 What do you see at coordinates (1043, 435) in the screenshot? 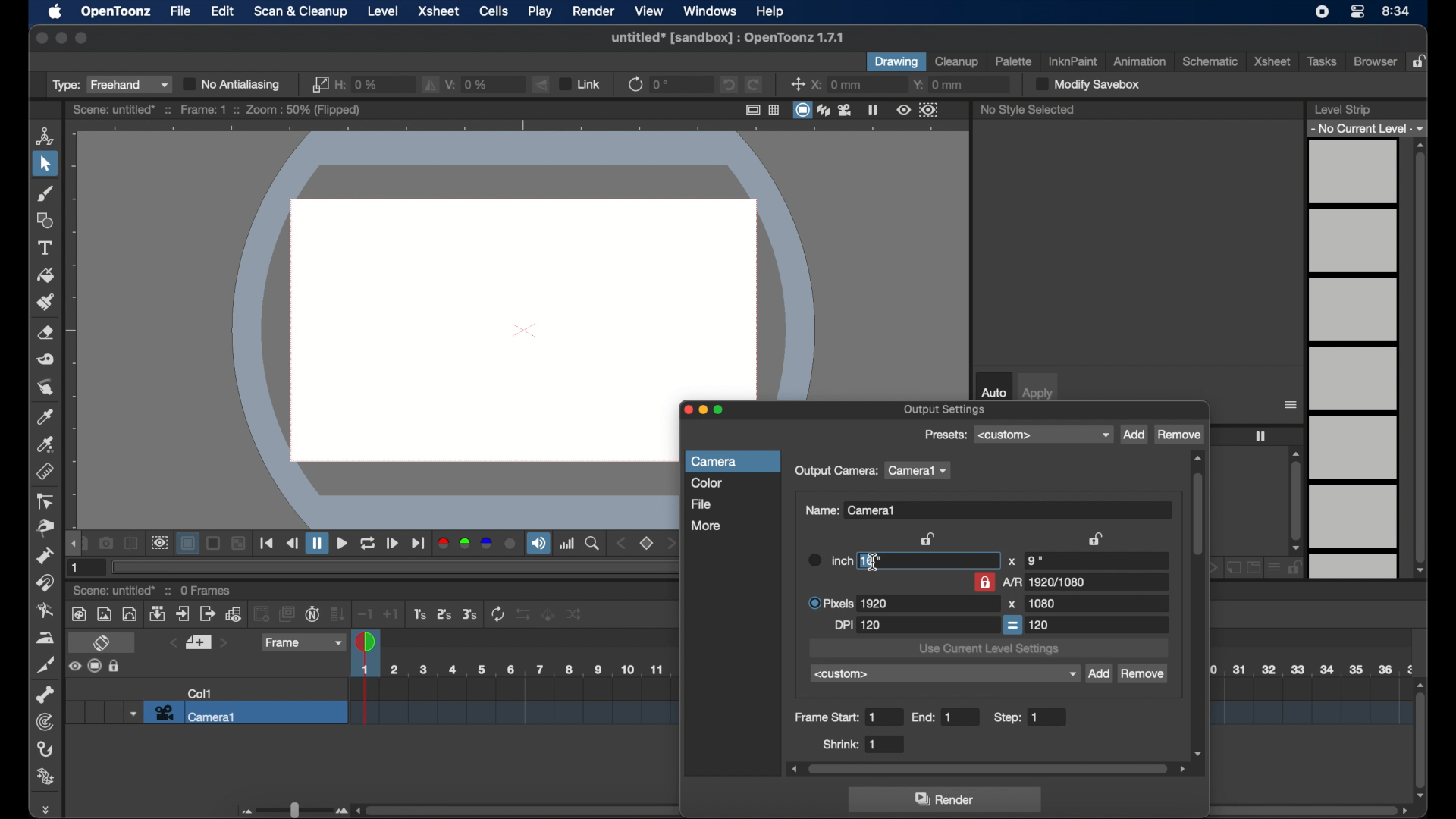
I see `presets` at bounding box center [1043, 435].